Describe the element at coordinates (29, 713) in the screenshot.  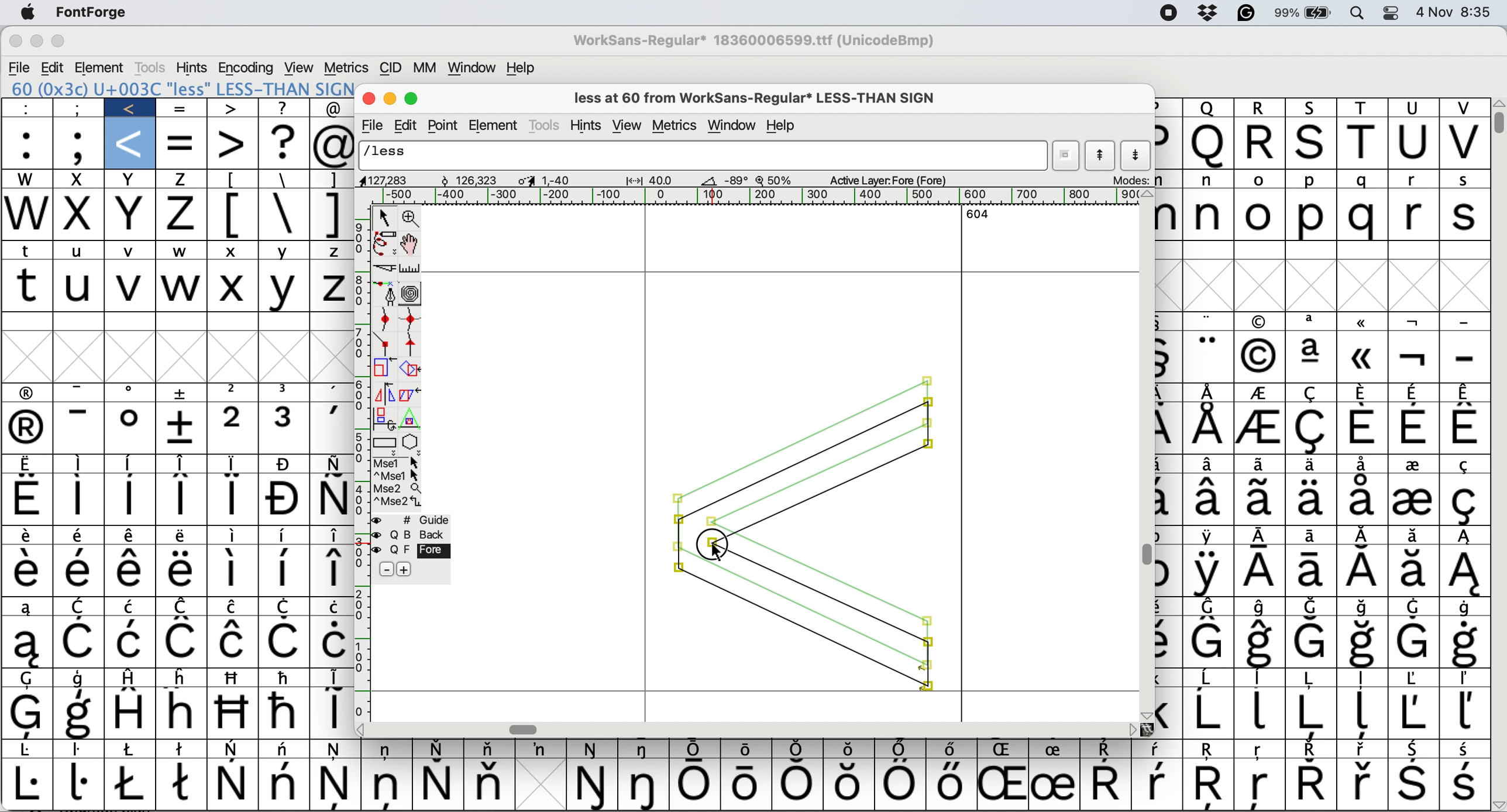
I see `Symbol` at that location.